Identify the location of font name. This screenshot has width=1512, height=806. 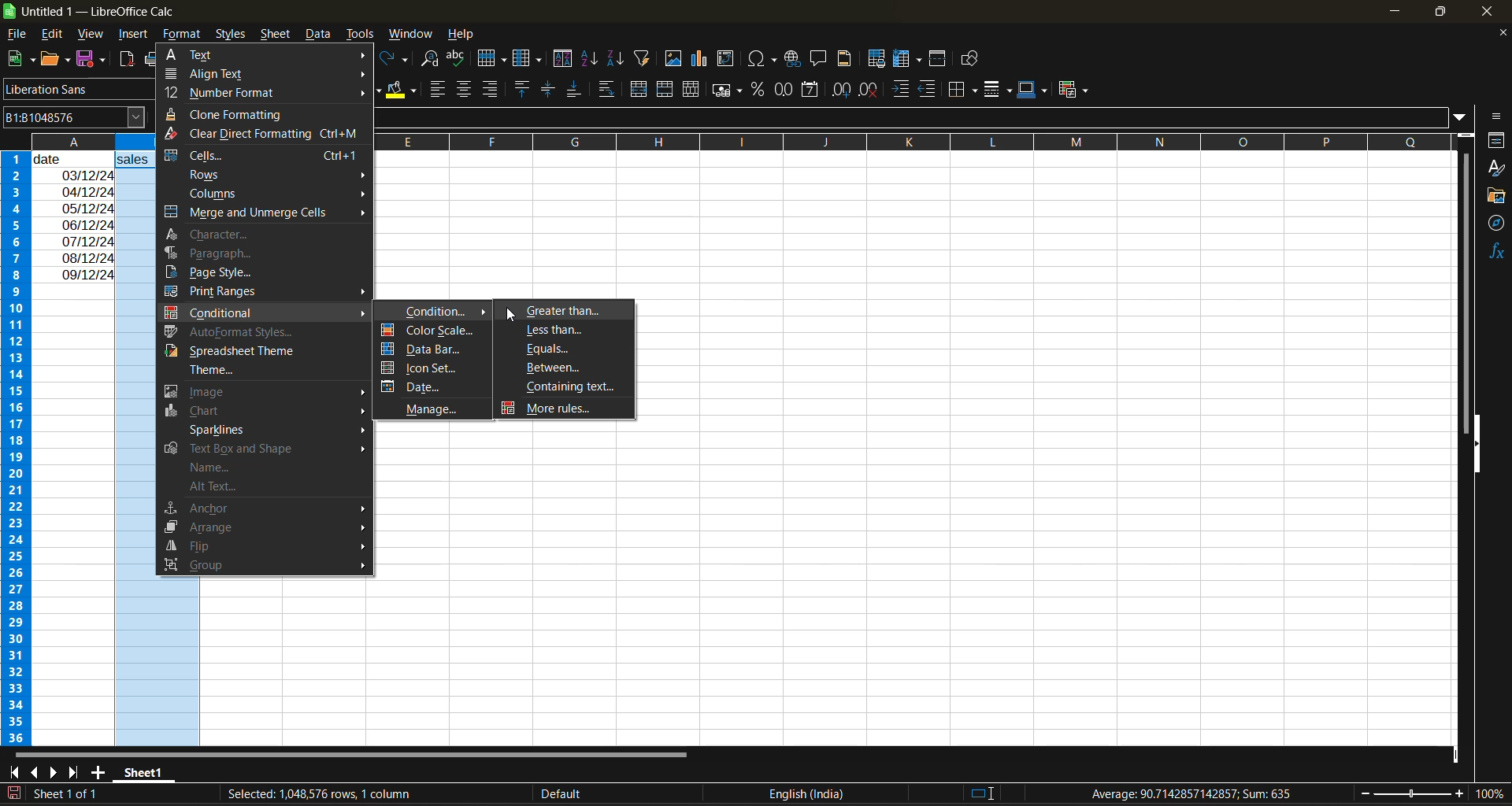
(80, 91).